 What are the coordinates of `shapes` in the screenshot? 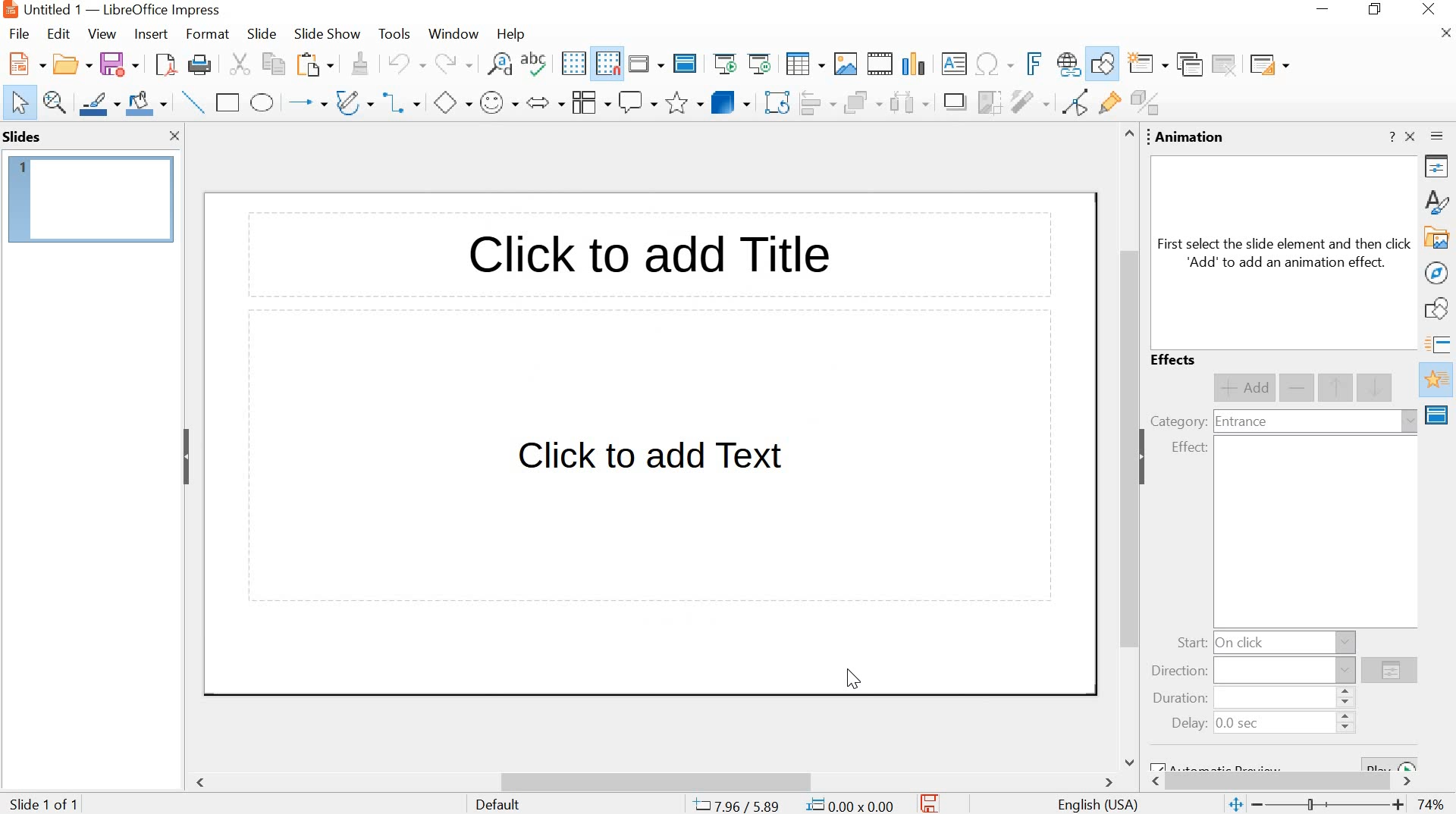 It's located at (1439, 311).